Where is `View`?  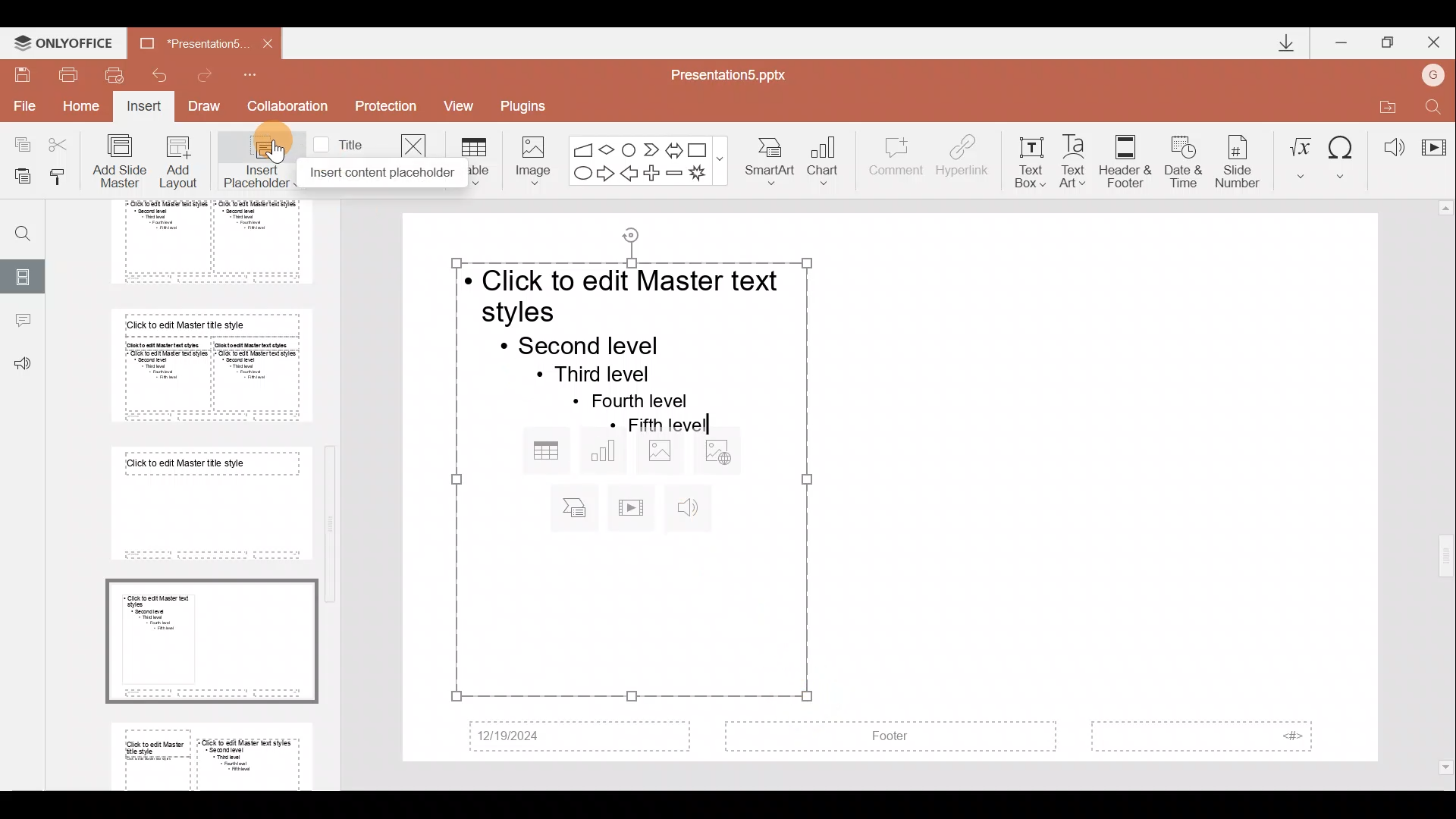
View is located at coordinates (464, 105).